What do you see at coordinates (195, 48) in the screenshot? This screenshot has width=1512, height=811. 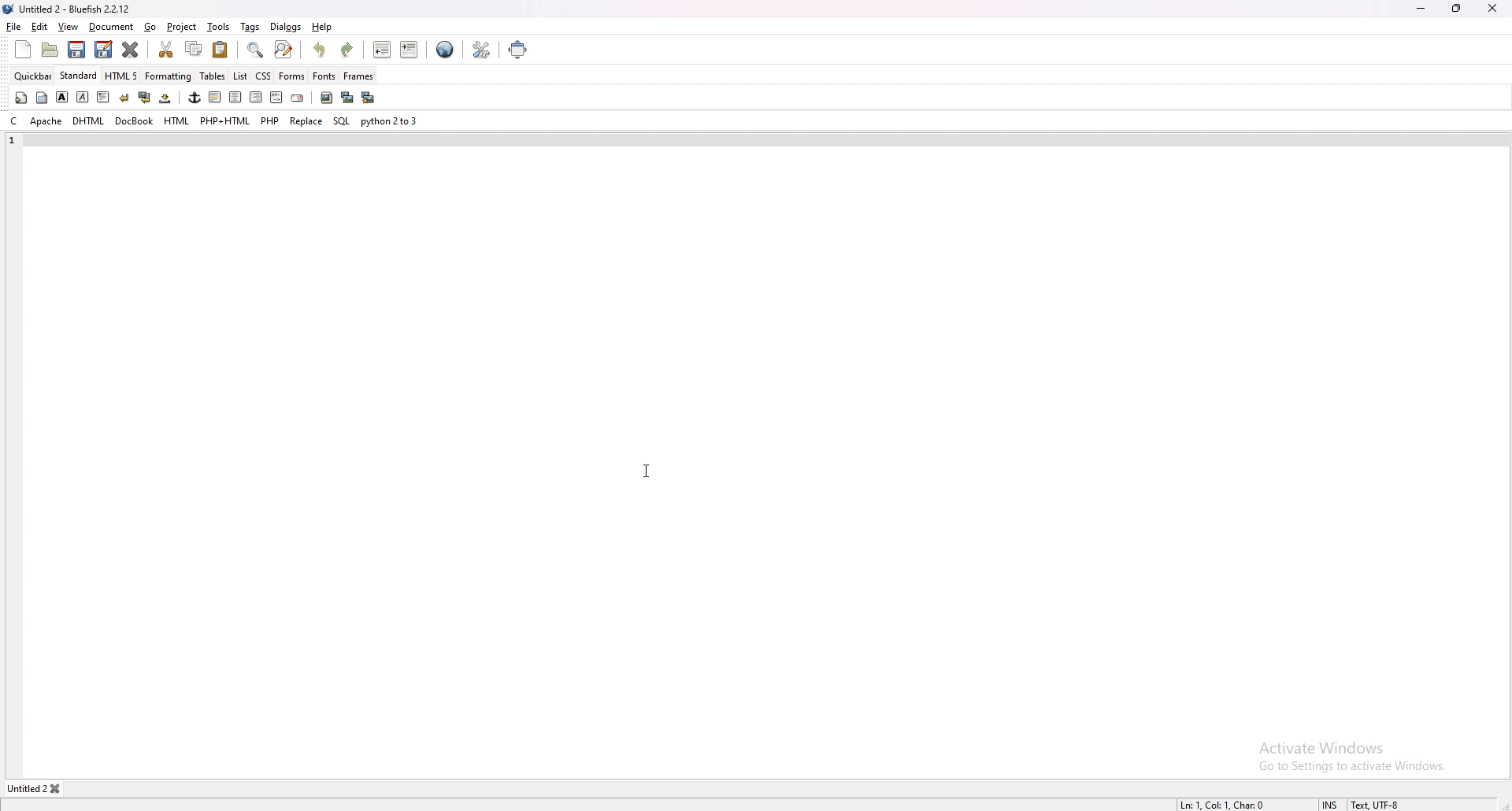 I see `copy` at bounding box center [195, 48].